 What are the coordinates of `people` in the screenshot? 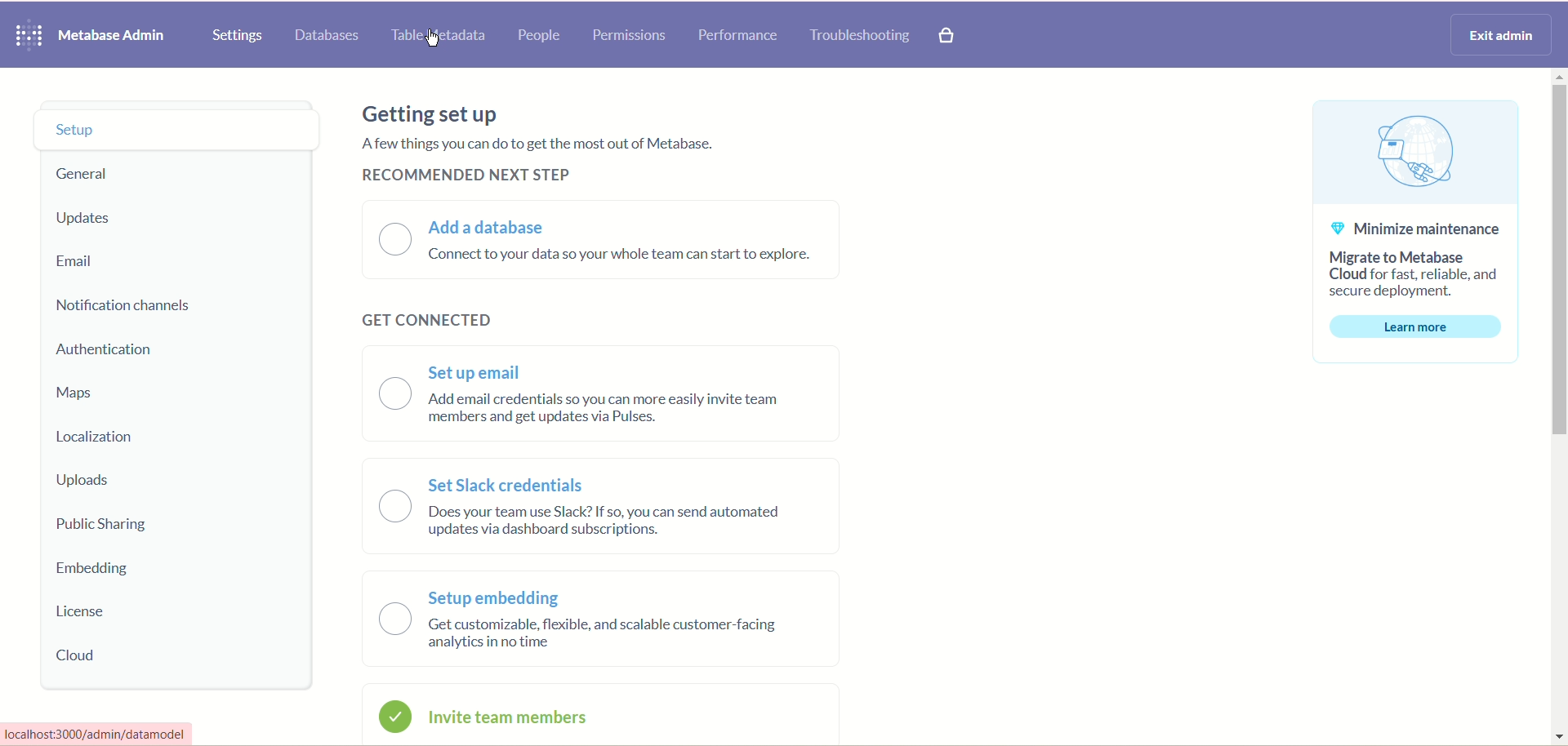 It's located at (538, 37).